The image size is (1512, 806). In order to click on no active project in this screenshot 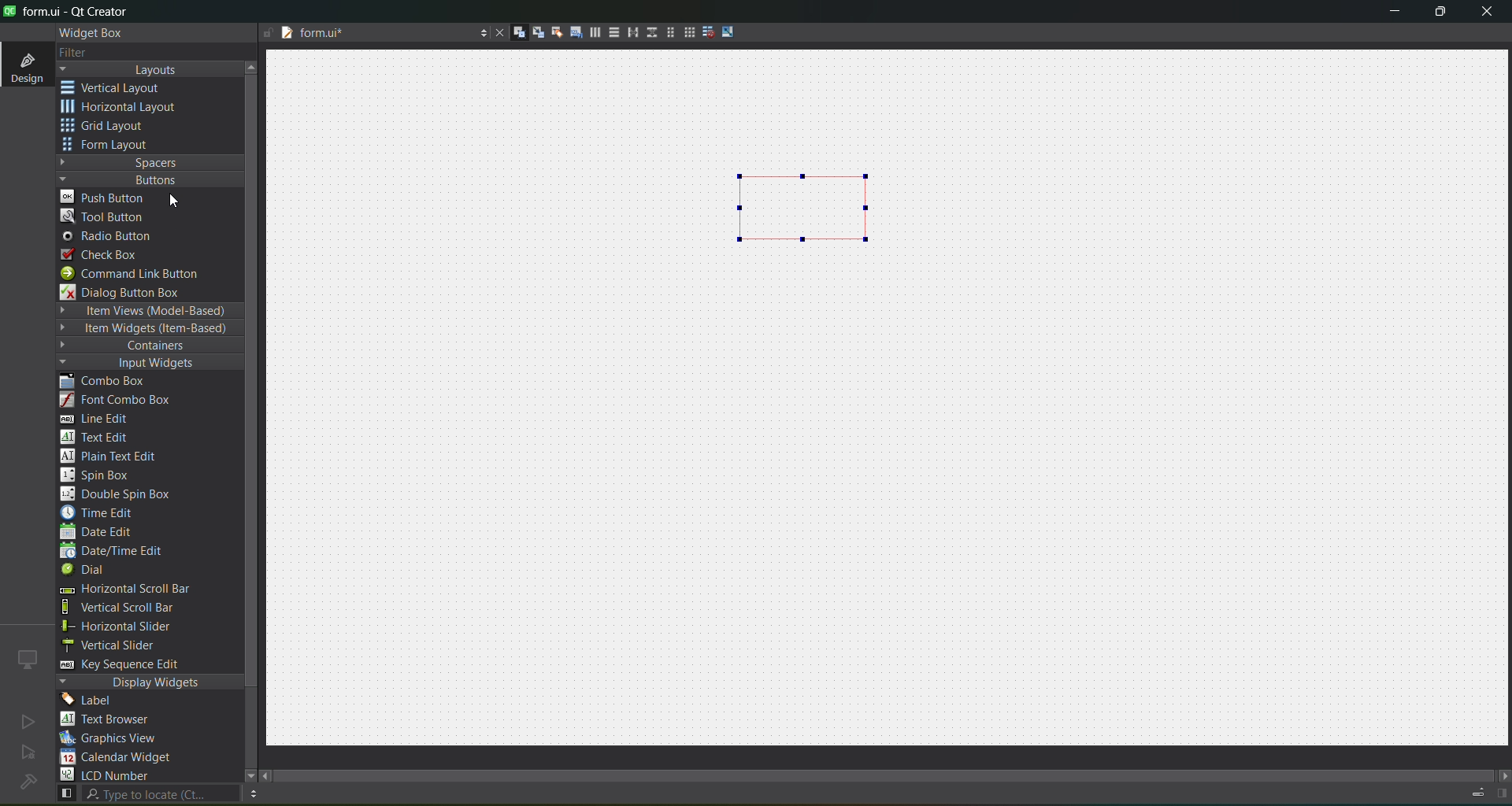, I will do `click(28, 721)`.